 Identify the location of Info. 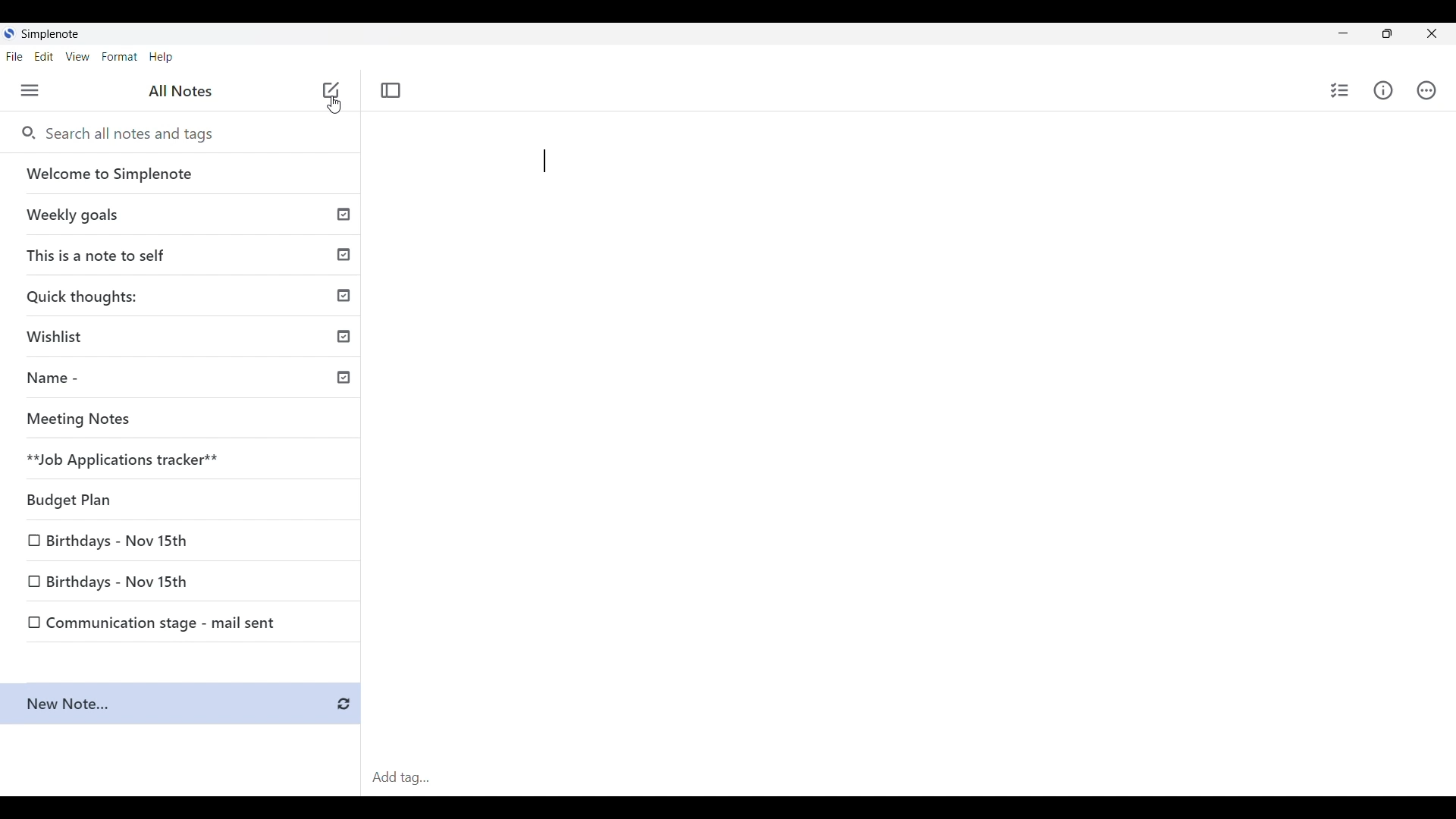
(1383, 90).